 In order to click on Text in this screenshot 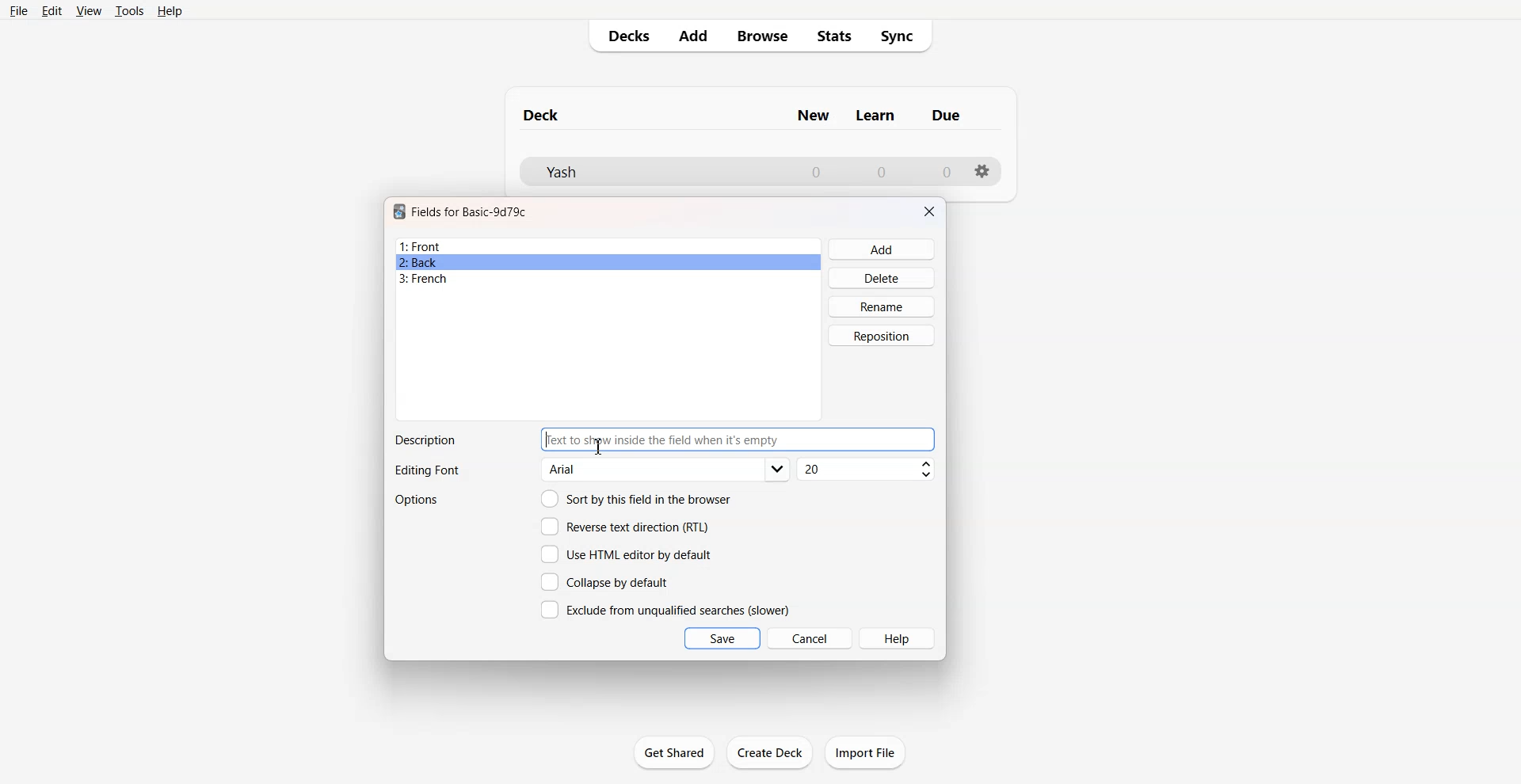, I will do `click(425, 440)`.